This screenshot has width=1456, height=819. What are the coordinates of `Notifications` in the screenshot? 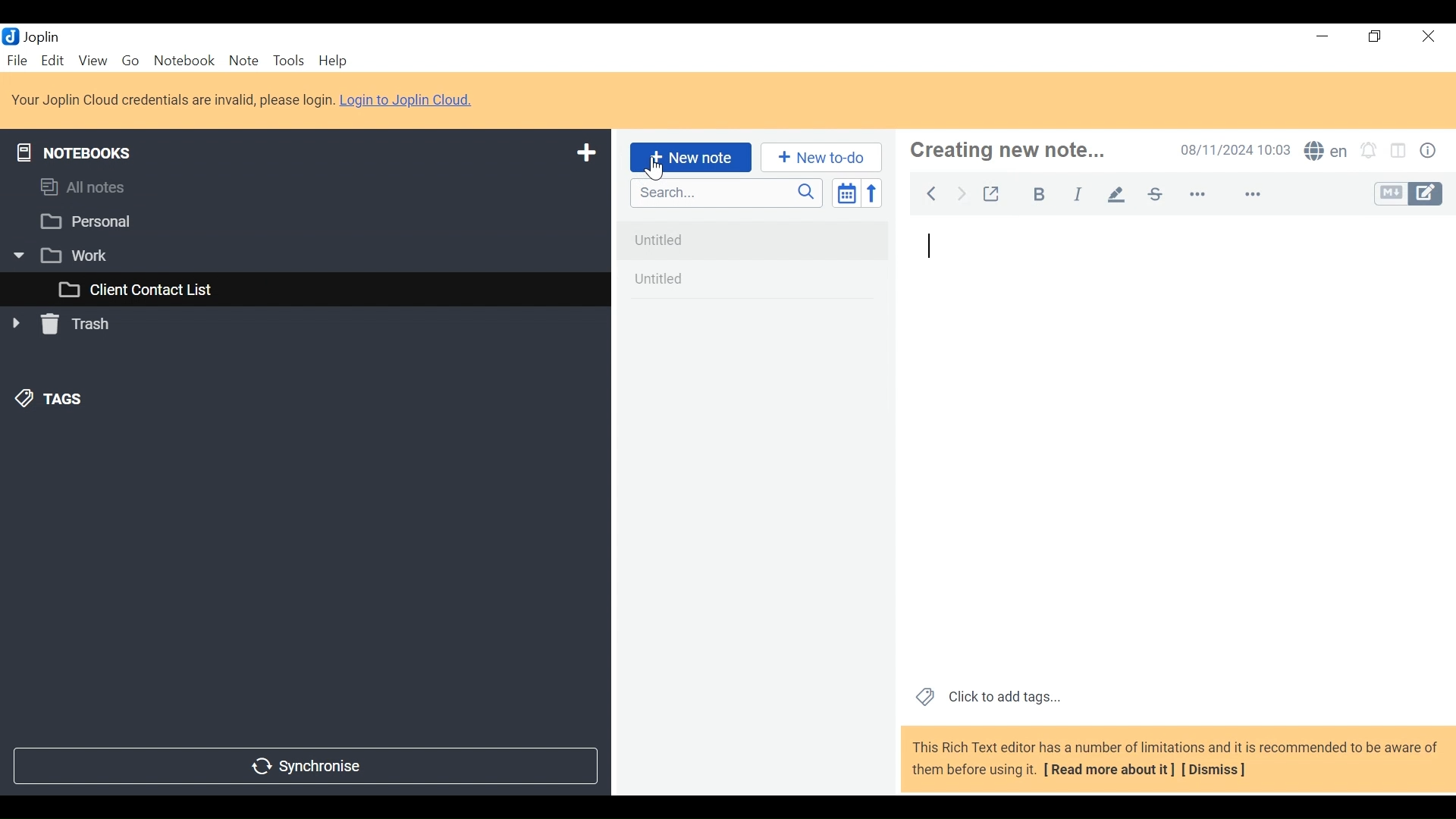 It's located at (1372, 149).